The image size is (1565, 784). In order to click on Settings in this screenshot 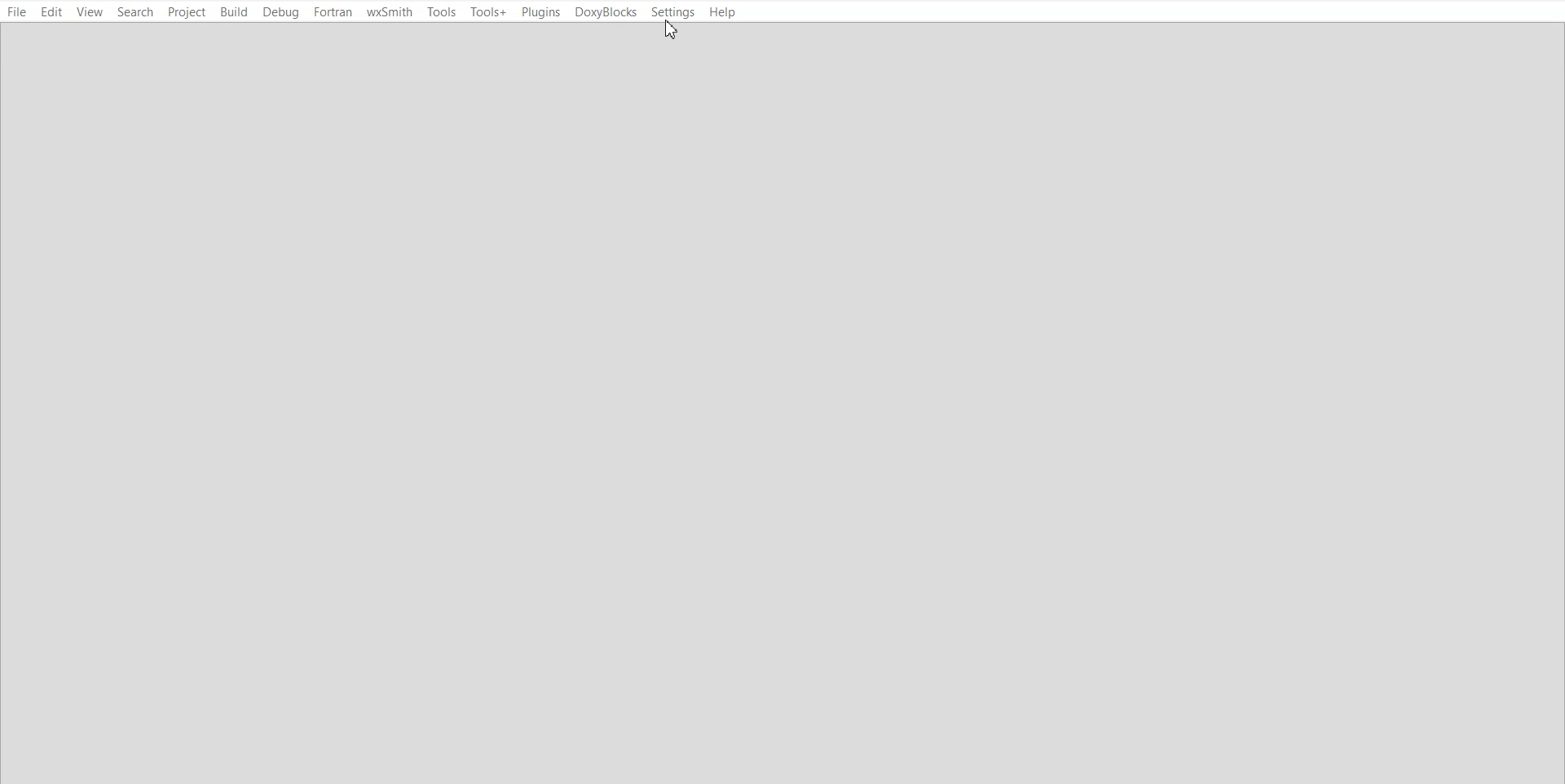, I will do `click(674, 12)`.